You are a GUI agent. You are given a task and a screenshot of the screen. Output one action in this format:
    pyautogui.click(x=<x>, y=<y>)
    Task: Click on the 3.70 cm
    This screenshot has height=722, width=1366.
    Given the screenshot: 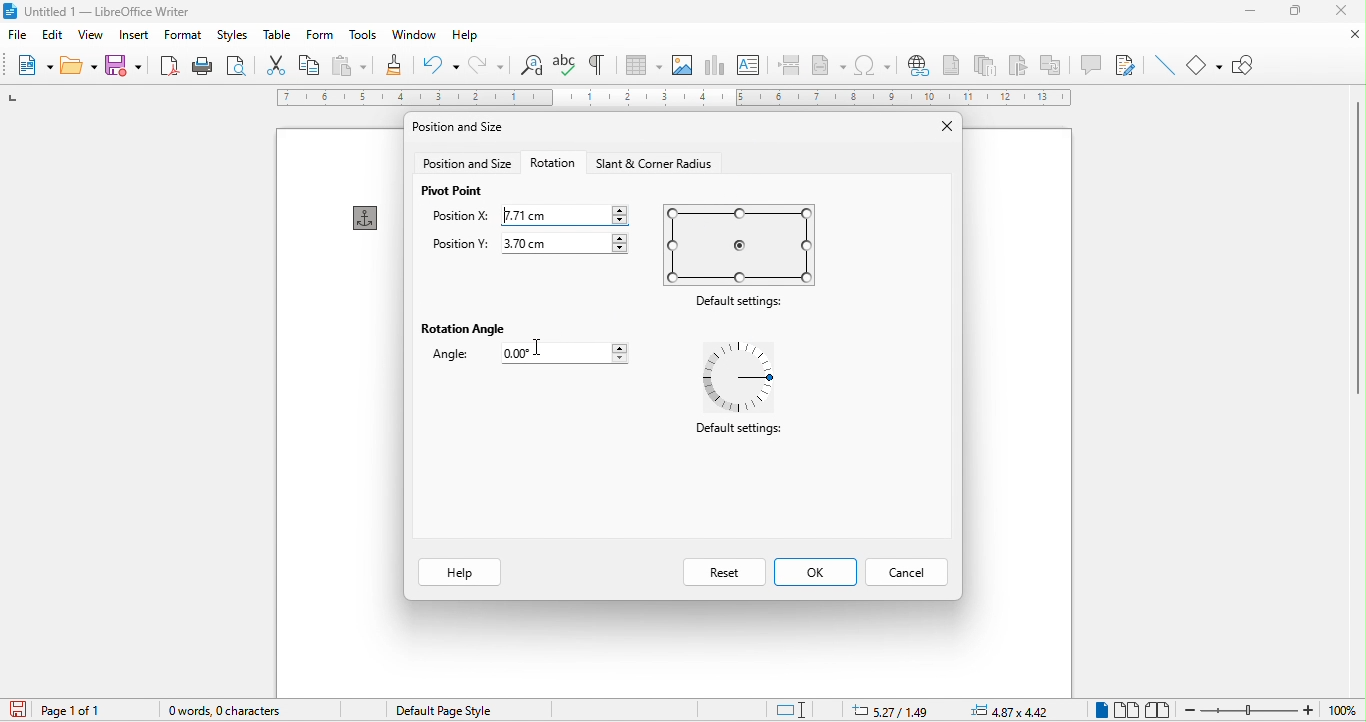 What is the action you would take?
    pyautogui.click(x=566, y=243)
    